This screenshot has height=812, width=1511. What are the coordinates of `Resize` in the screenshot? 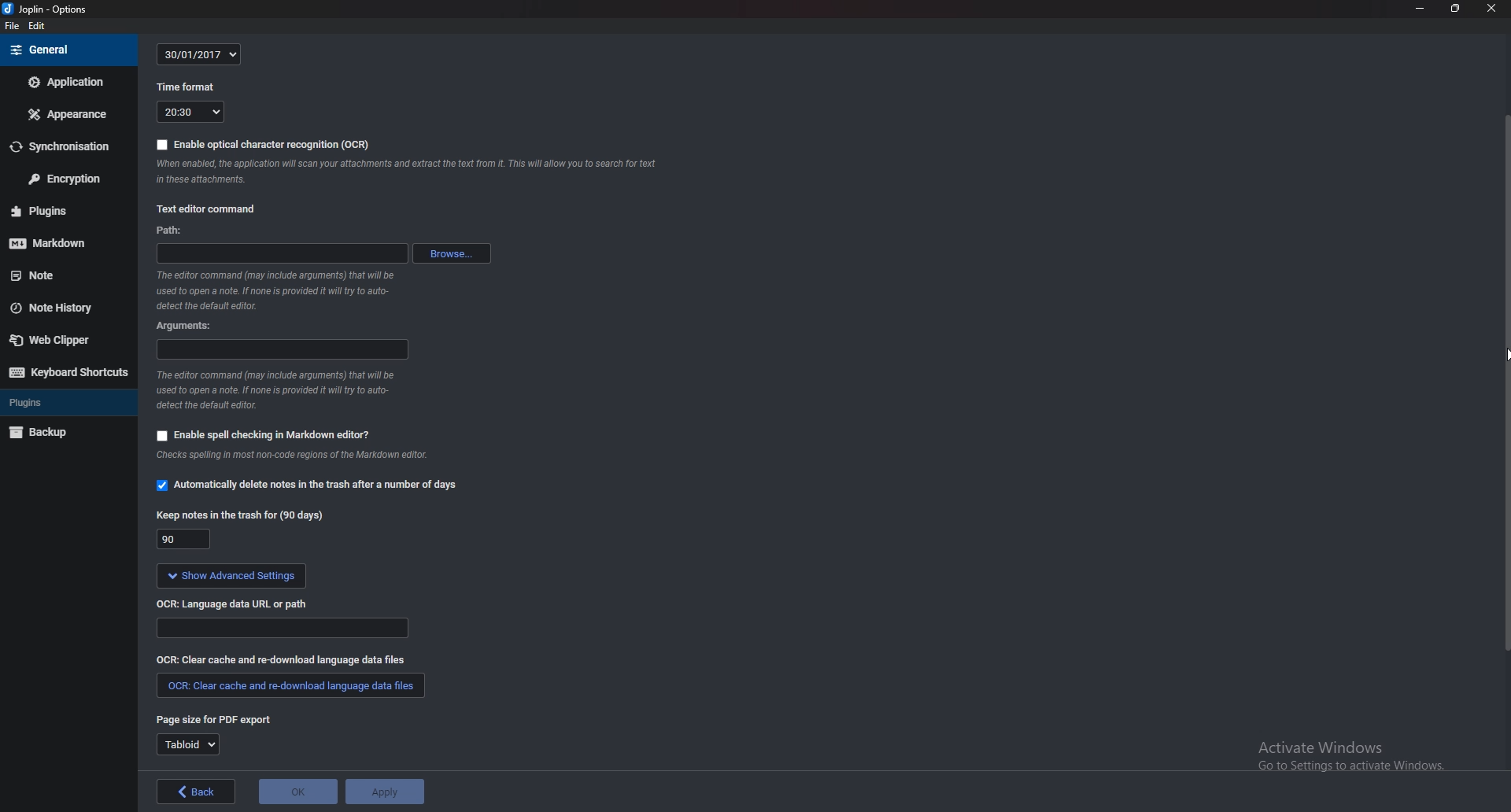 It's located at (1453, 9).